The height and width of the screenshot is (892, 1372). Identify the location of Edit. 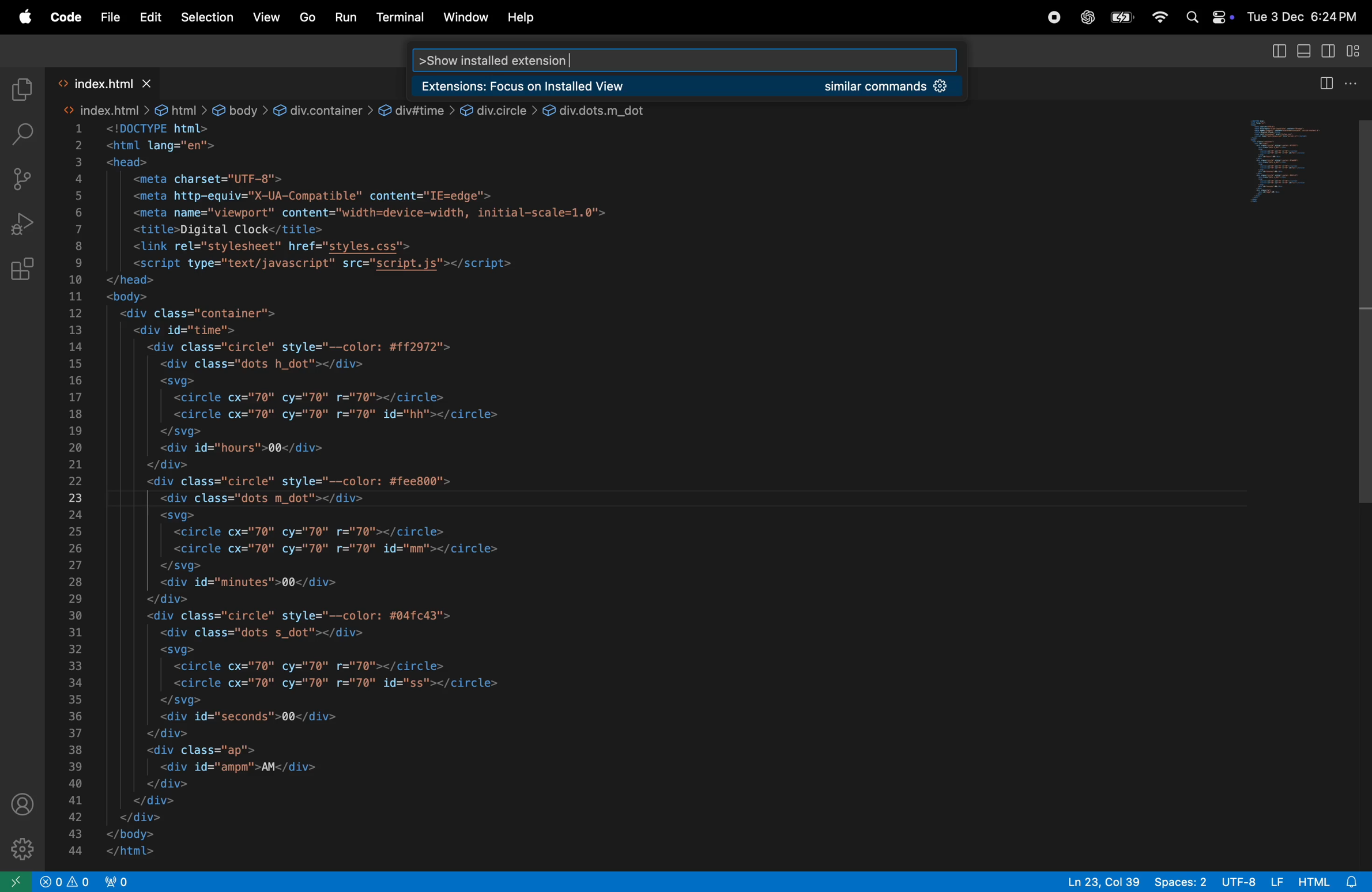
(147, 16).